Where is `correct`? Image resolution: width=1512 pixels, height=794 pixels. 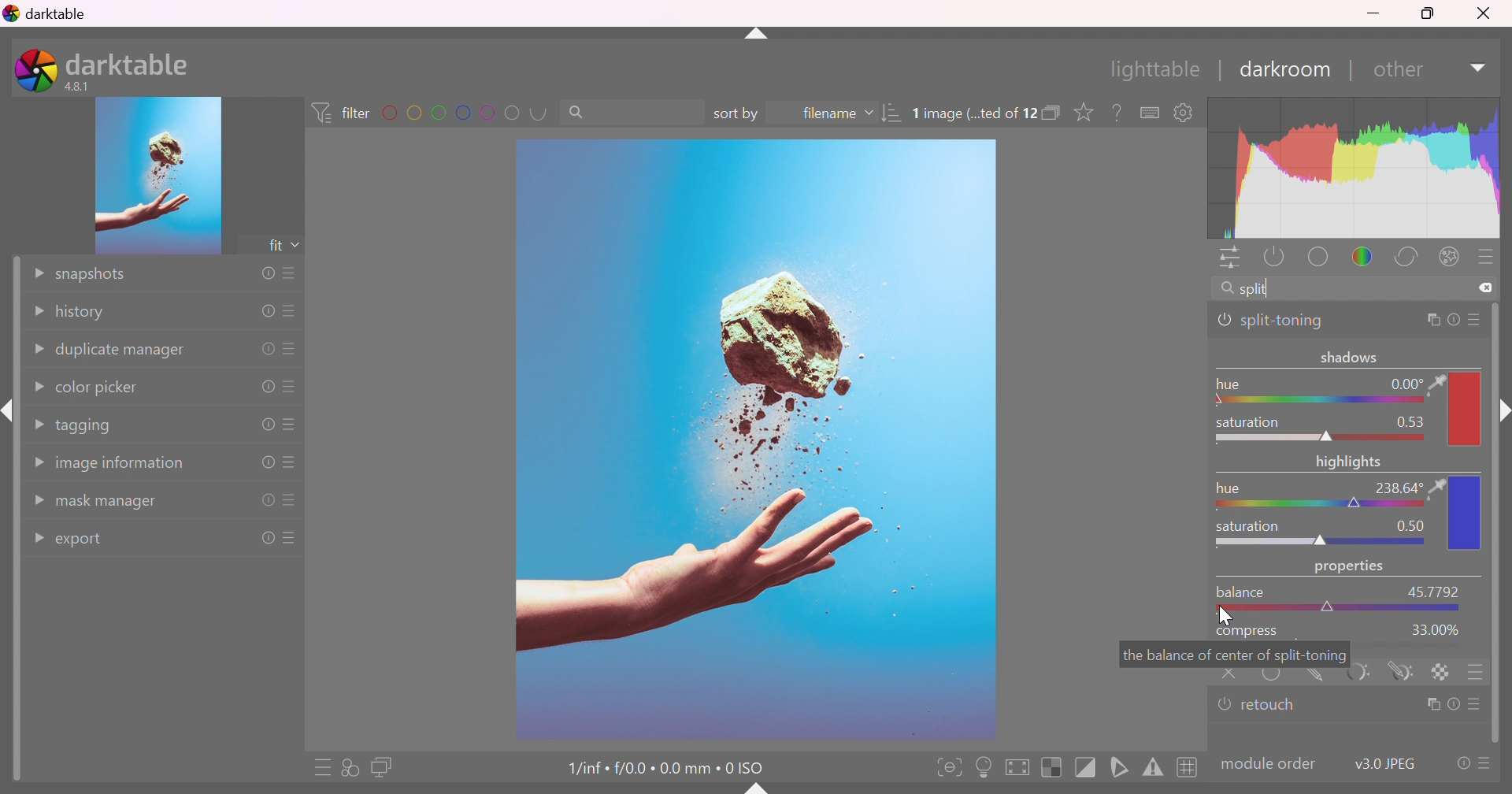
correct is located at coordinates (1410, 258).